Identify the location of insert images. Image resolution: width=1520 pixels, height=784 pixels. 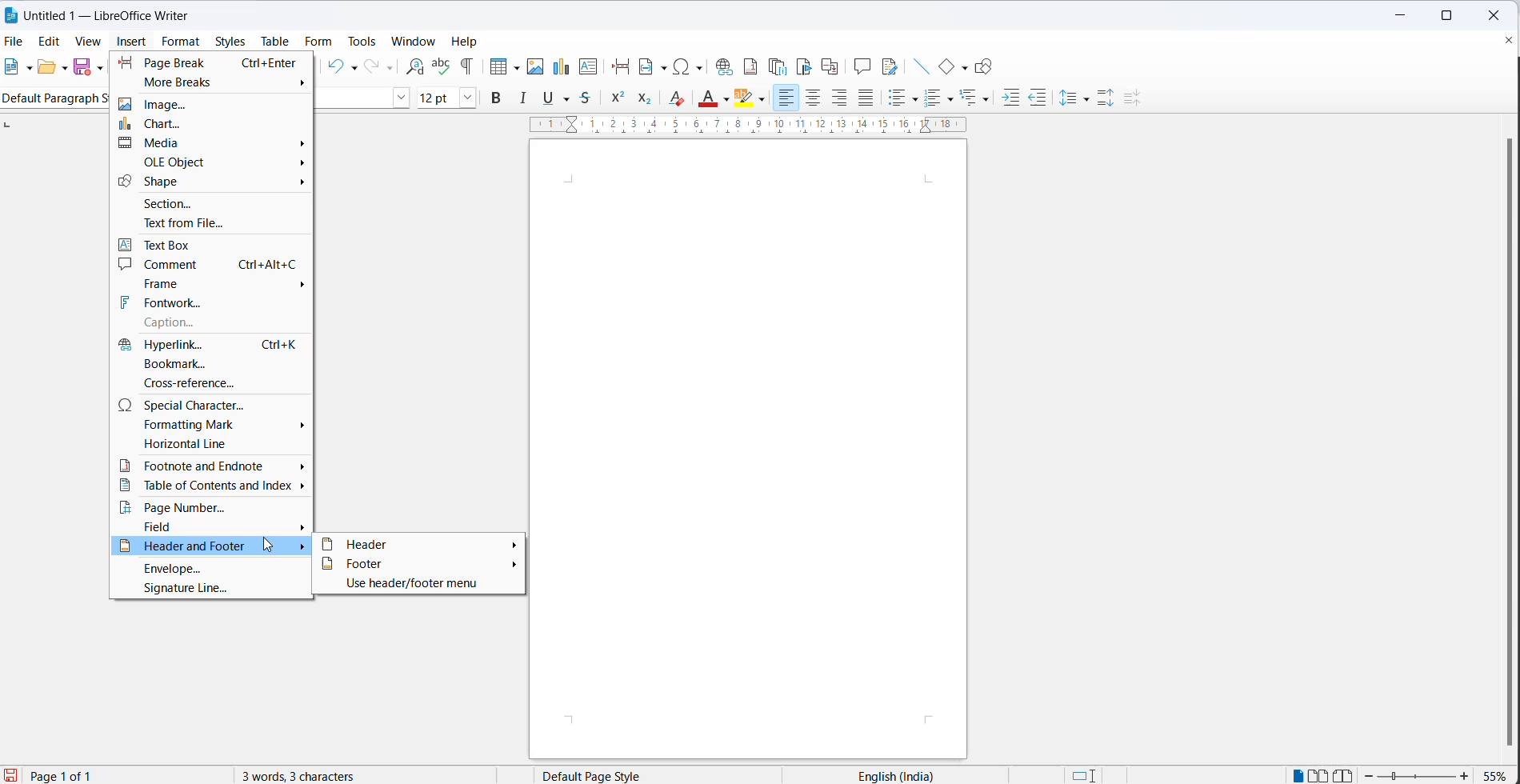
(535, 68).